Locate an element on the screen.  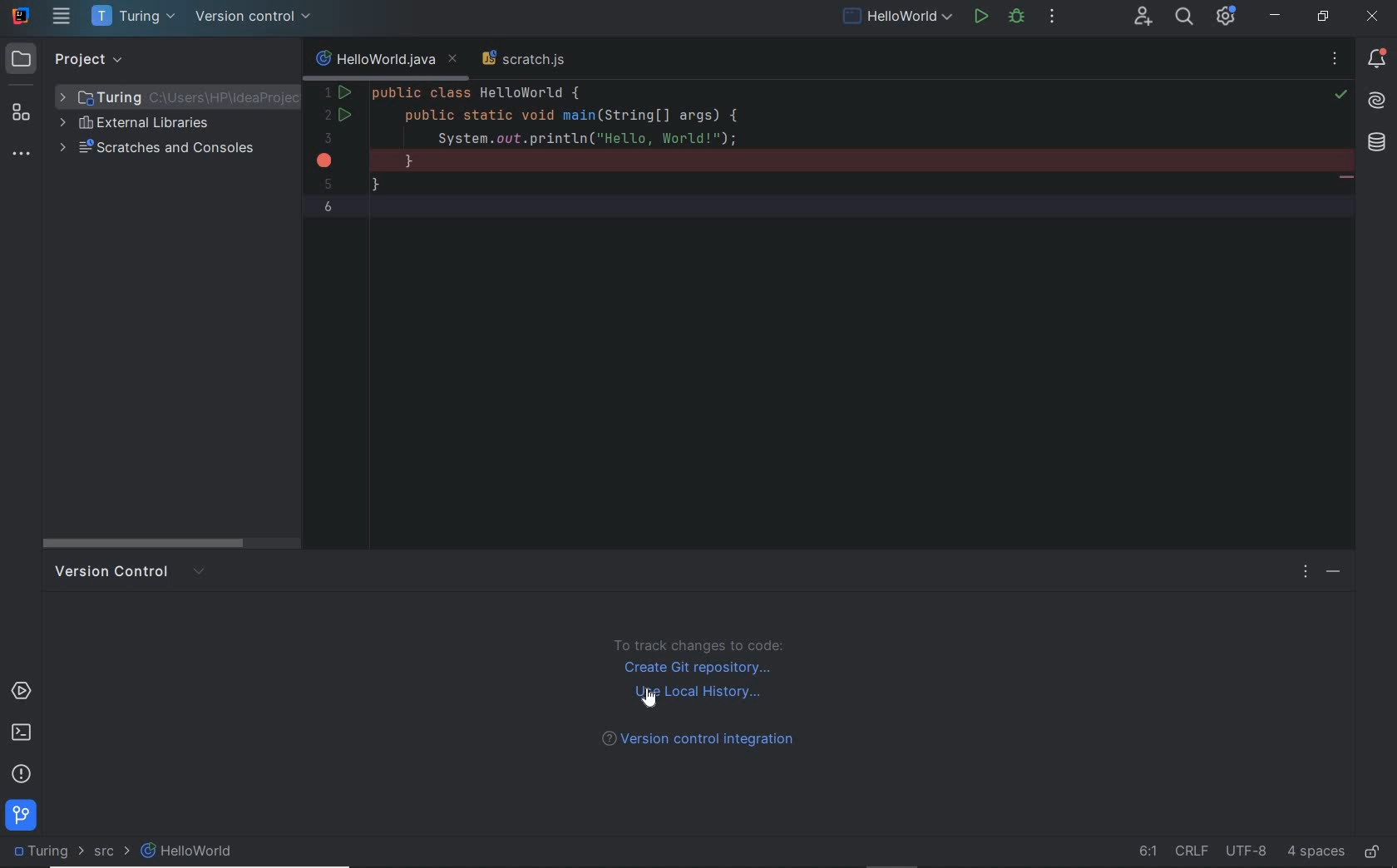
system name is located at coordinates (19, 16).